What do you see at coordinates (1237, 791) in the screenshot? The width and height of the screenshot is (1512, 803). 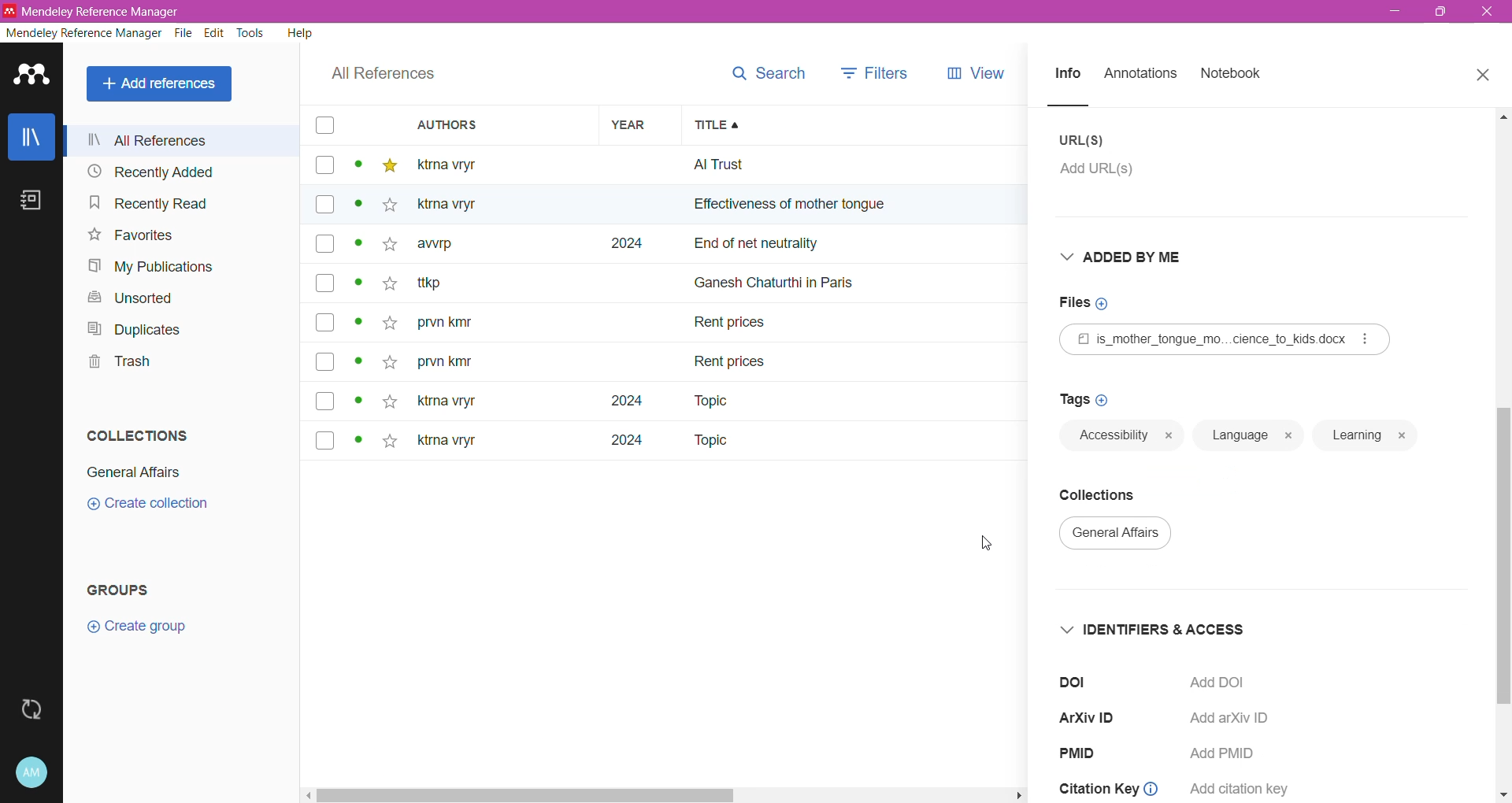 I see `add citation key` at bounding box center [1237, 791].